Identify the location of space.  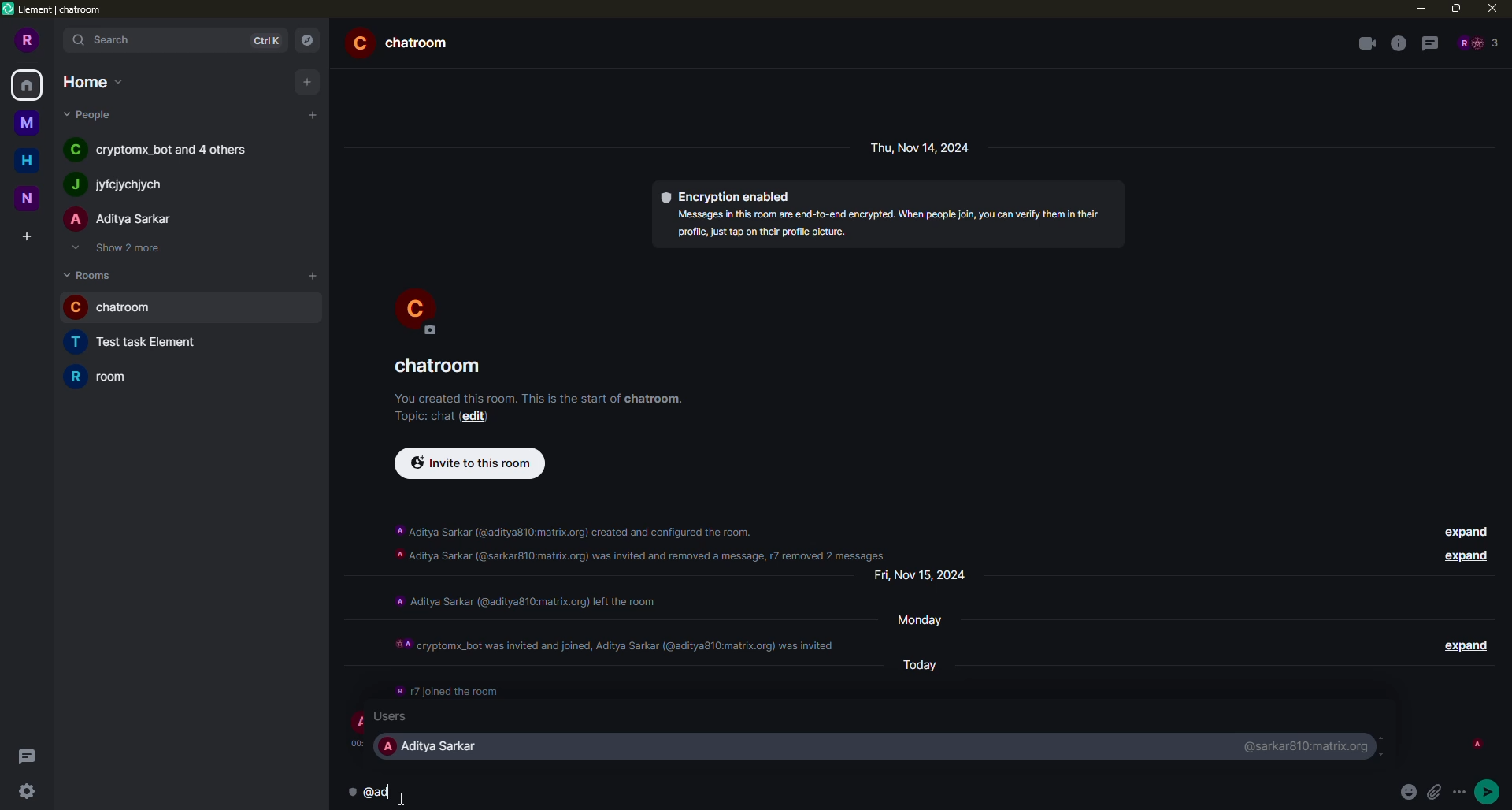
(25, 120).